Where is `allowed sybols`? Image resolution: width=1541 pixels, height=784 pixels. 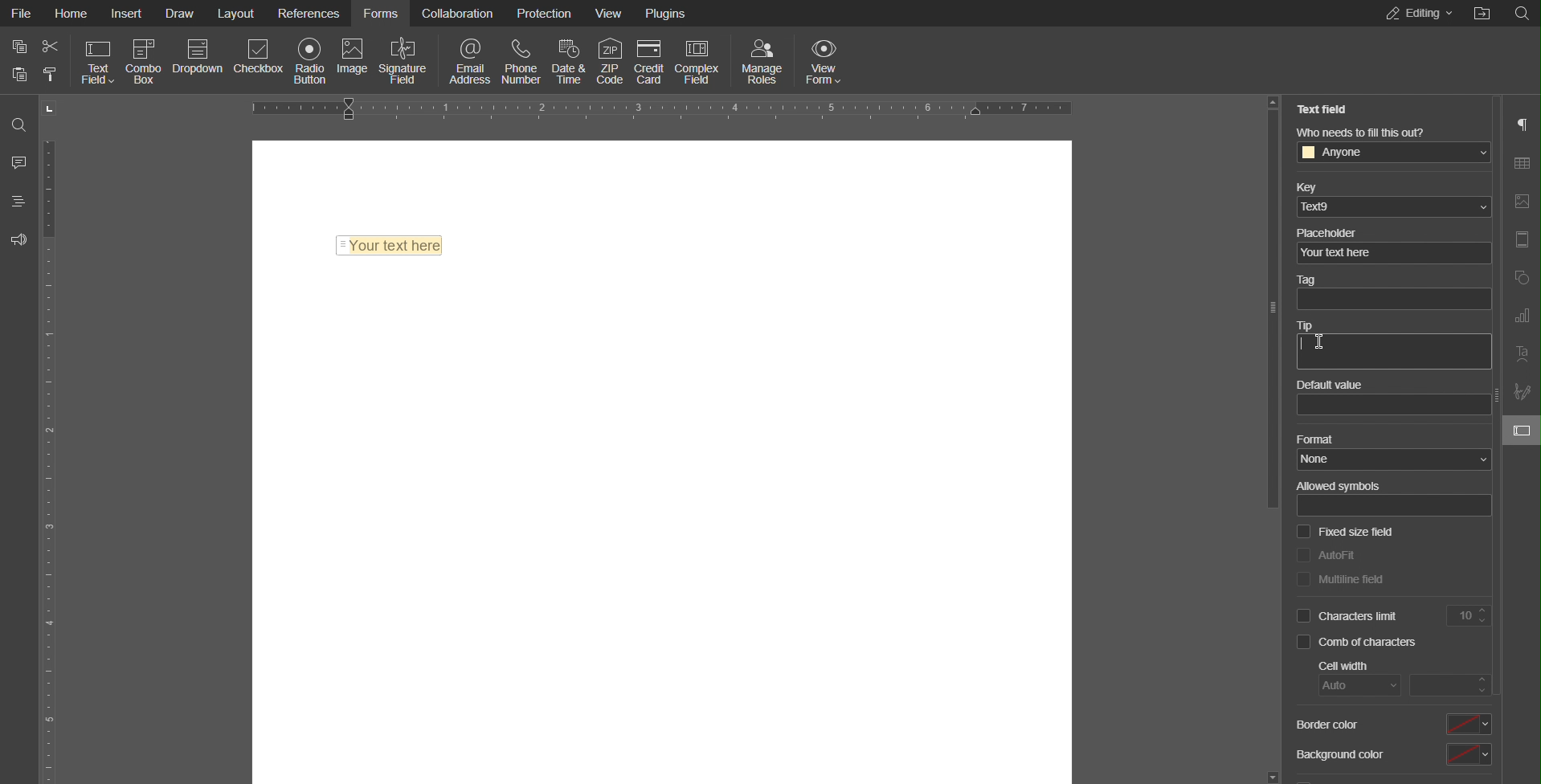 allowed sybols is located at coordinates (1396, 505).